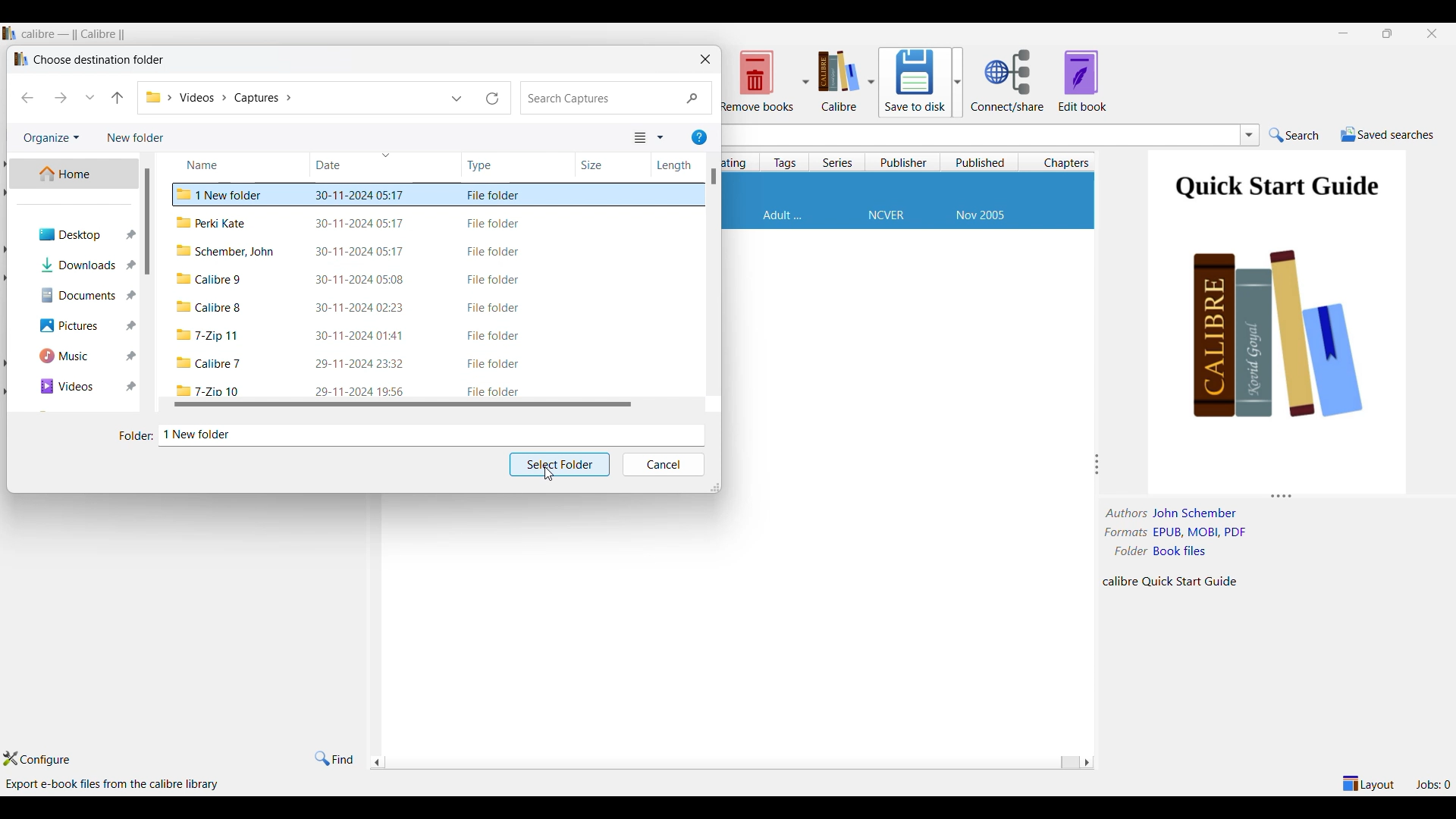 Image resolution: width=1456 pixels, height=819 pixels. I want to click on file folder, so click(493, 196).